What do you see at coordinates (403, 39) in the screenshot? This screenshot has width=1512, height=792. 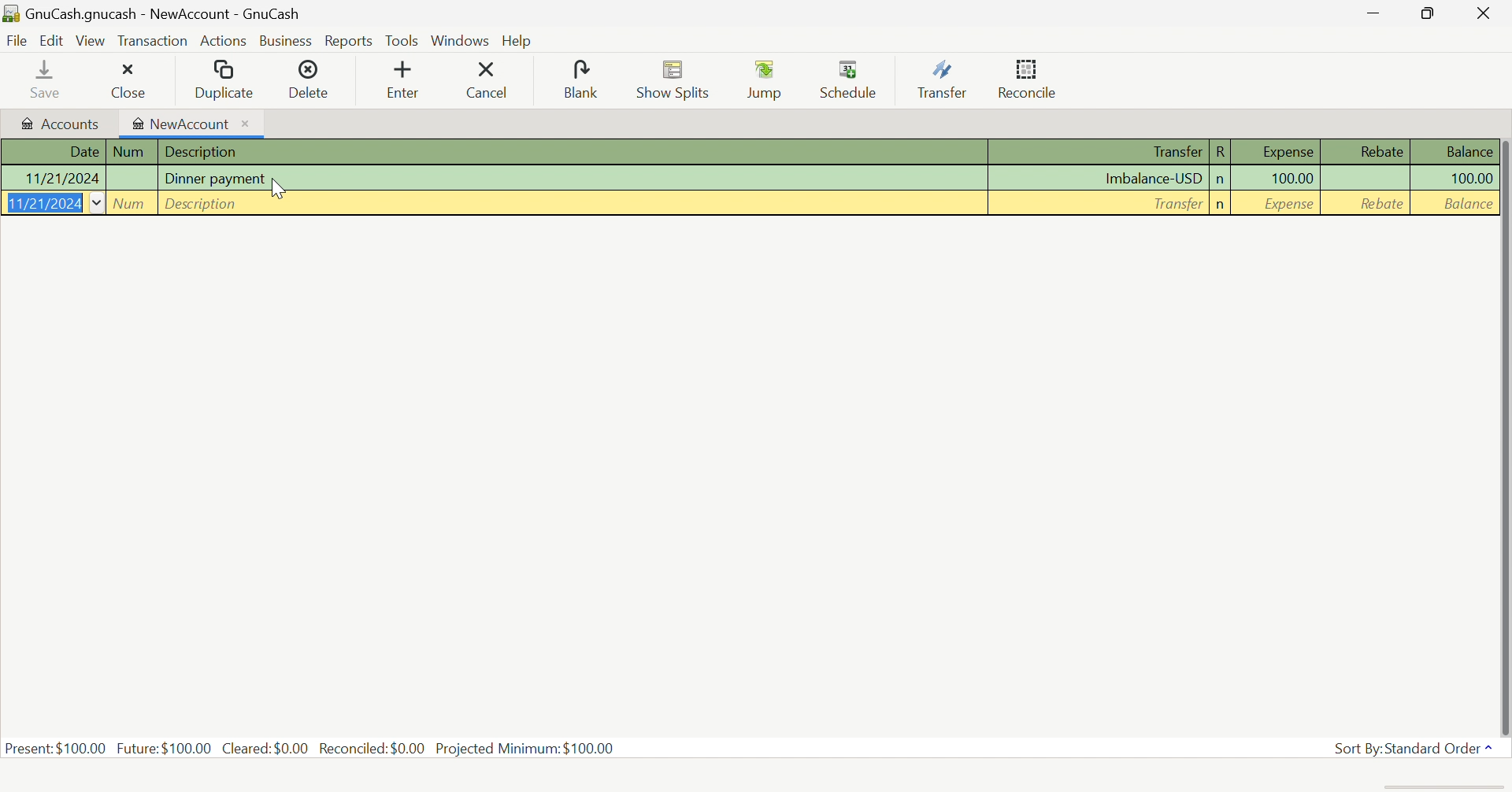 I see `Tools` at bounding box center [403, 39].